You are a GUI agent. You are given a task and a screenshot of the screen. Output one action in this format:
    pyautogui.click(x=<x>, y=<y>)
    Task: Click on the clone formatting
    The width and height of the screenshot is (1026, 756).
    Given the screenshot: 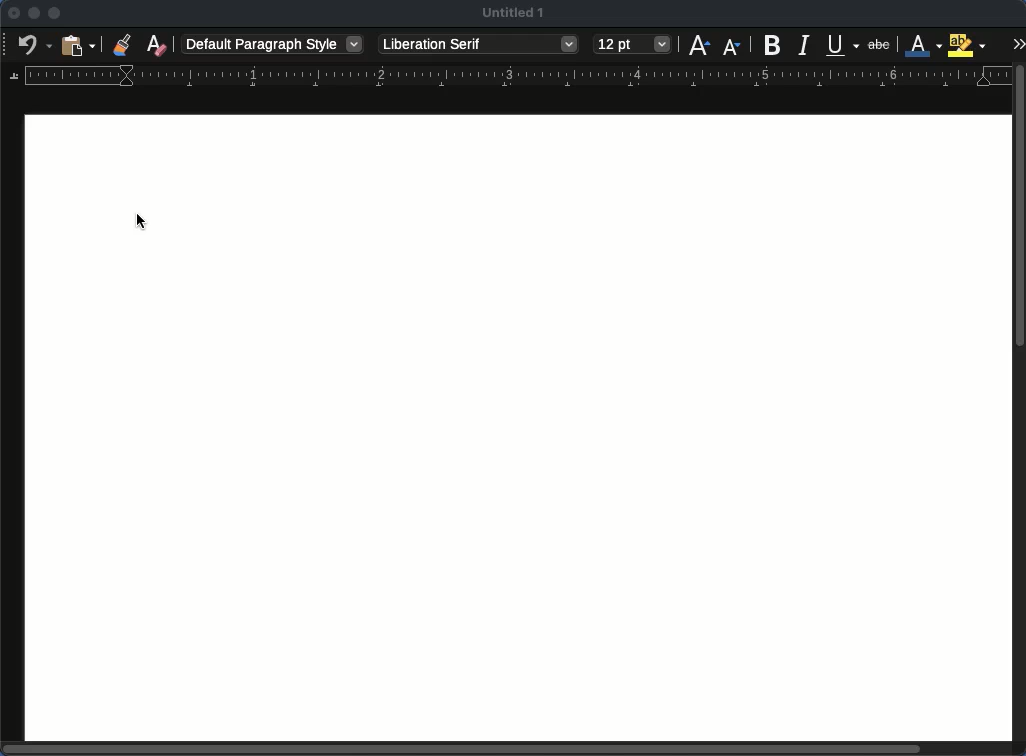 What is the action you would take?
    pyautogui.click(x=122, y=44)
    